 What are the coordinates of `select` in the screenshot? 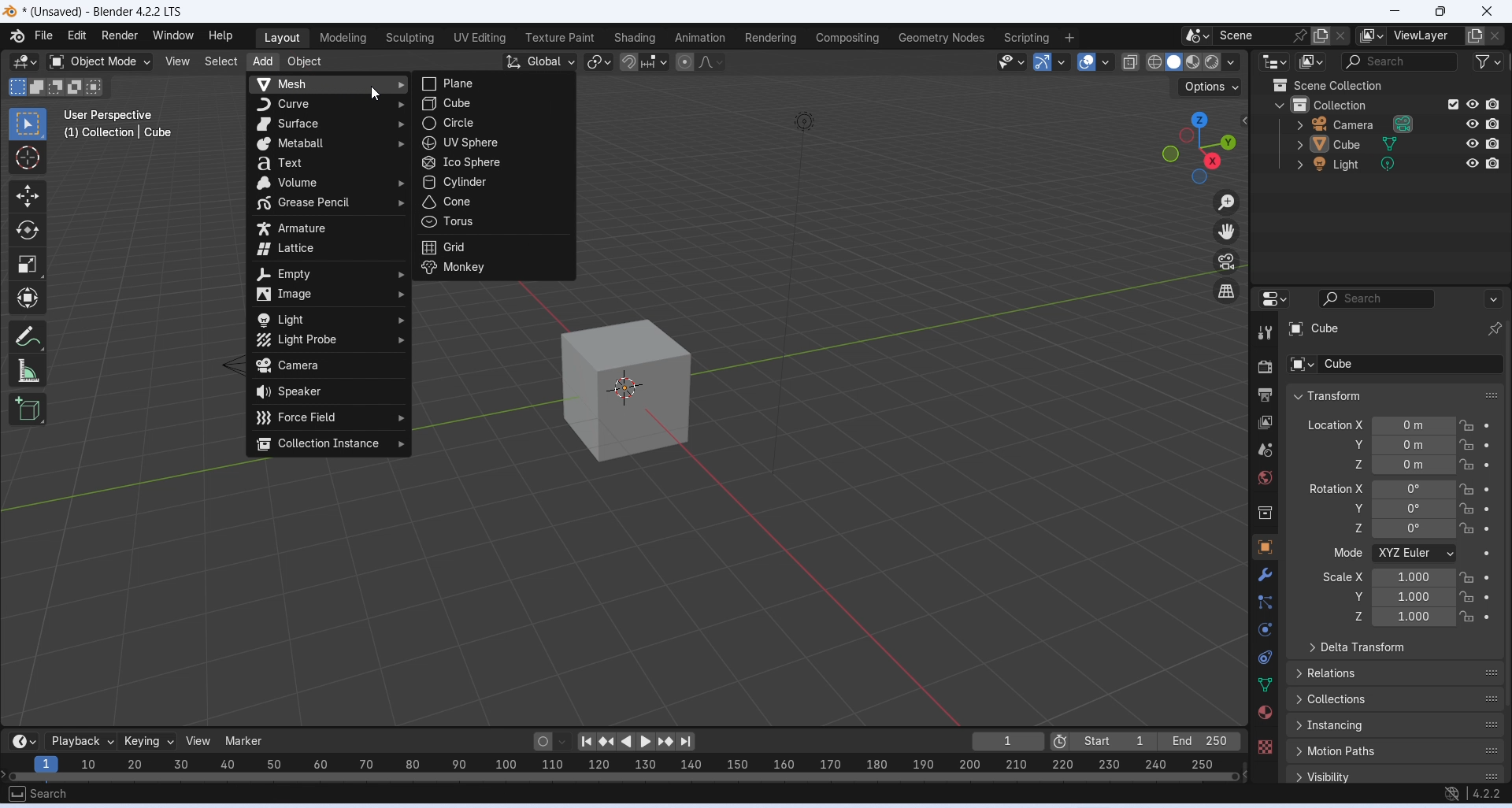 It's located at (220, 61).